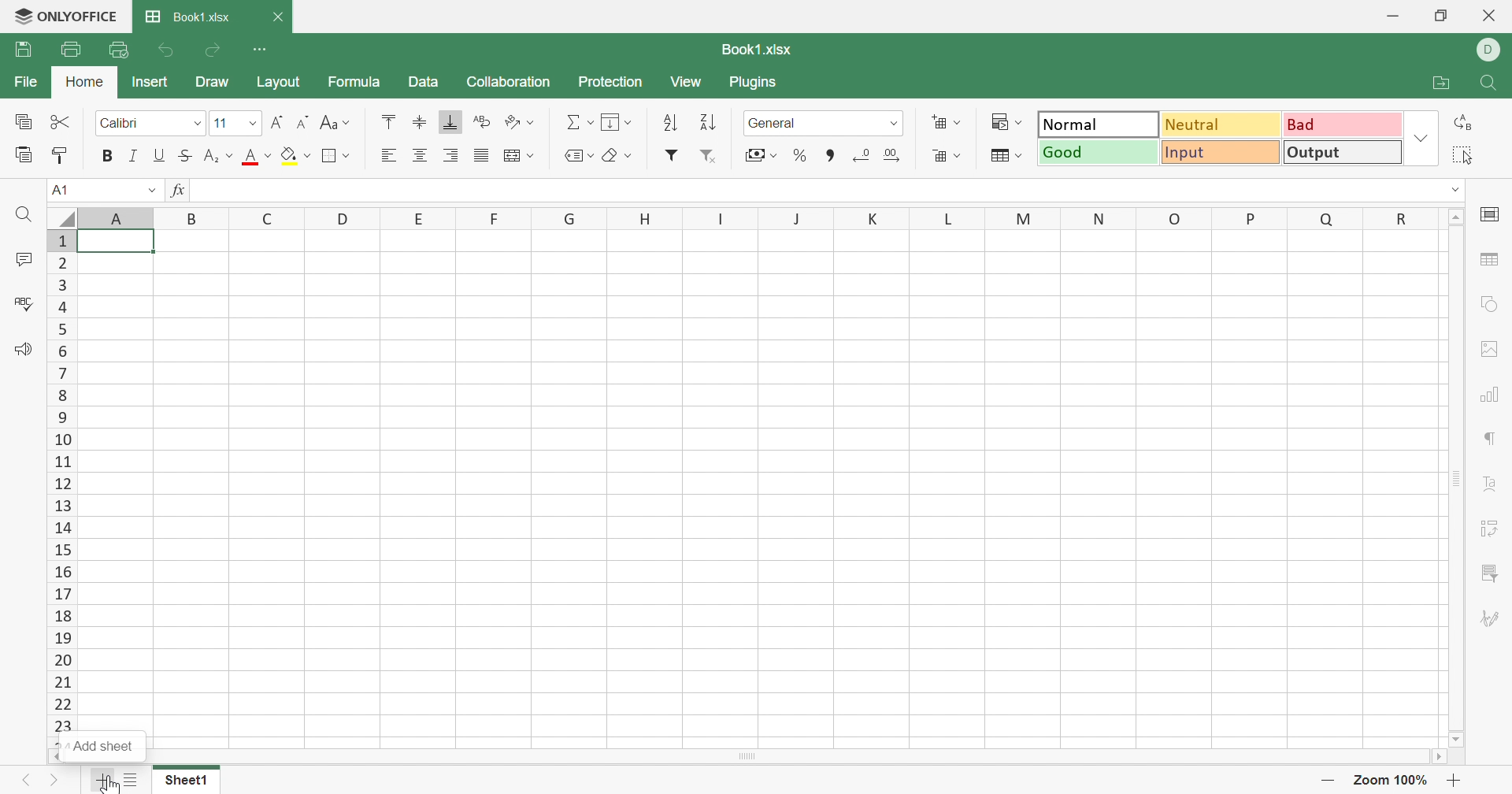 The width and height of the screenshot is (1512, 794). I want to click on Image settings, so click(1492, 347).